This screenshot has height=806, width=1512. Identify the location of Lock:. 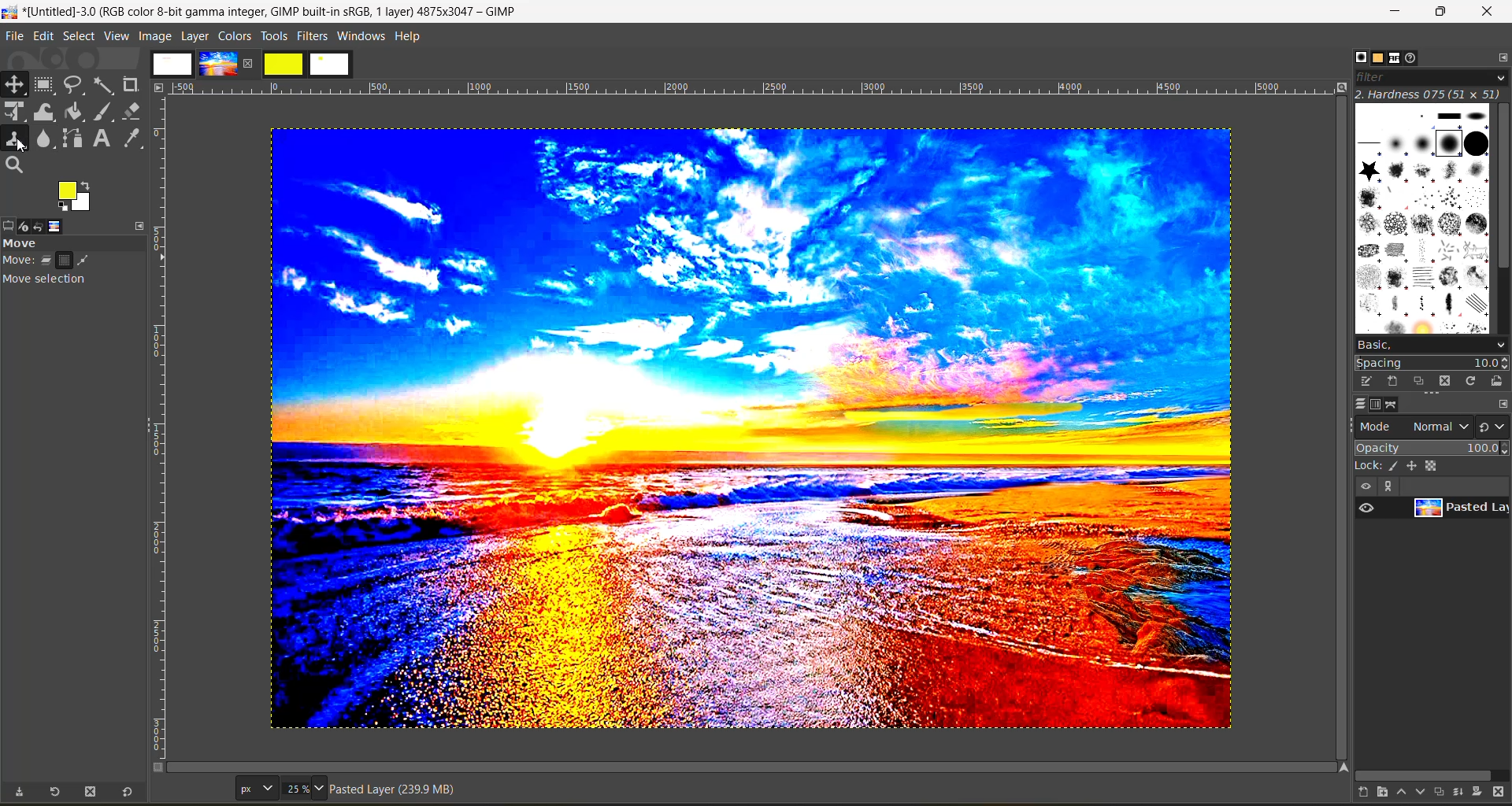
(1369, 466).